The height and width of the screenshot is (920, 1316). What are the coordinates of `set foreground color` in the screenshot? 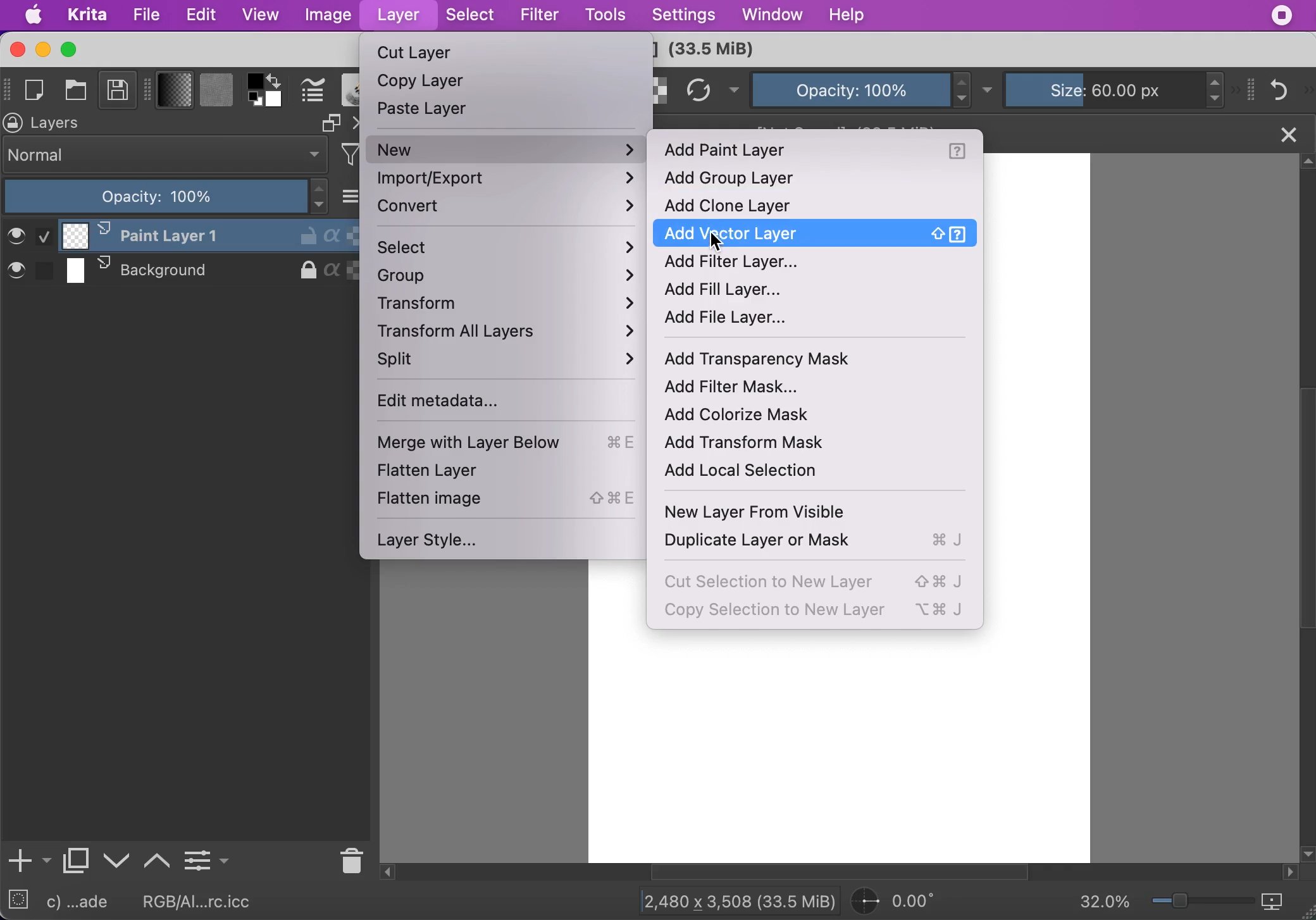 It's located at (256, 80).